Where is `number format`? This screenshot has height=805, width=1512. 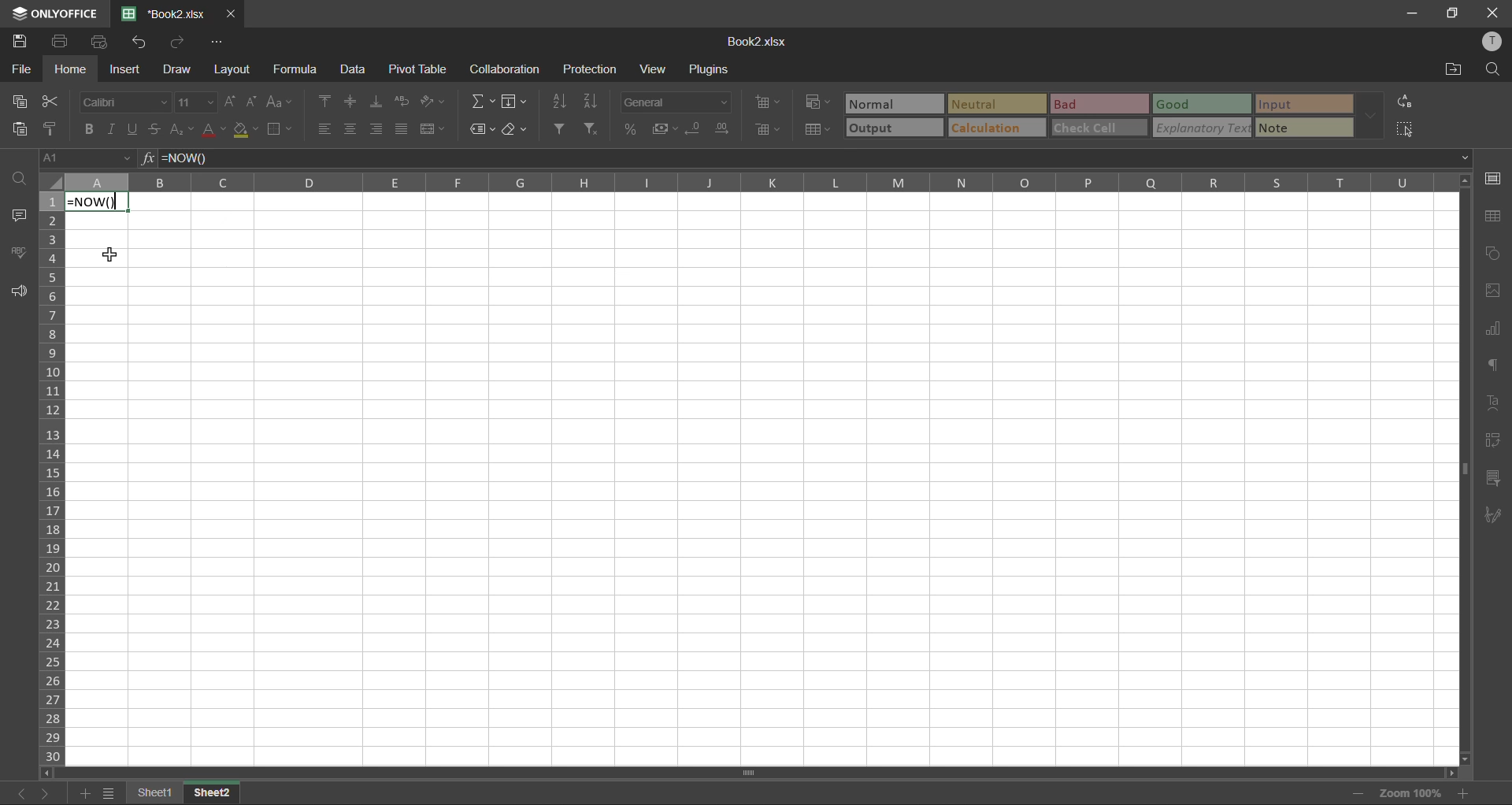
number format is located at coordinates (677, 103).